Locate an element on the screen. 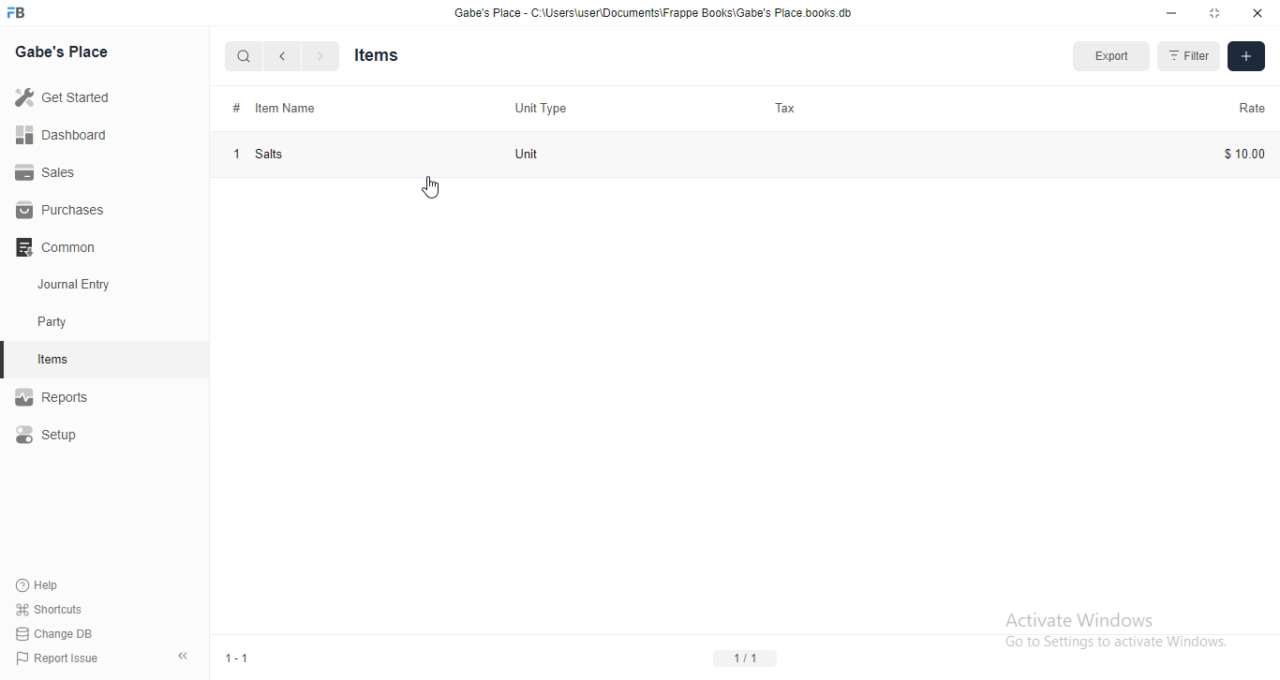 The height and width of the screenshot is (680, 1280). Tax is located at coordinates (792, 110).